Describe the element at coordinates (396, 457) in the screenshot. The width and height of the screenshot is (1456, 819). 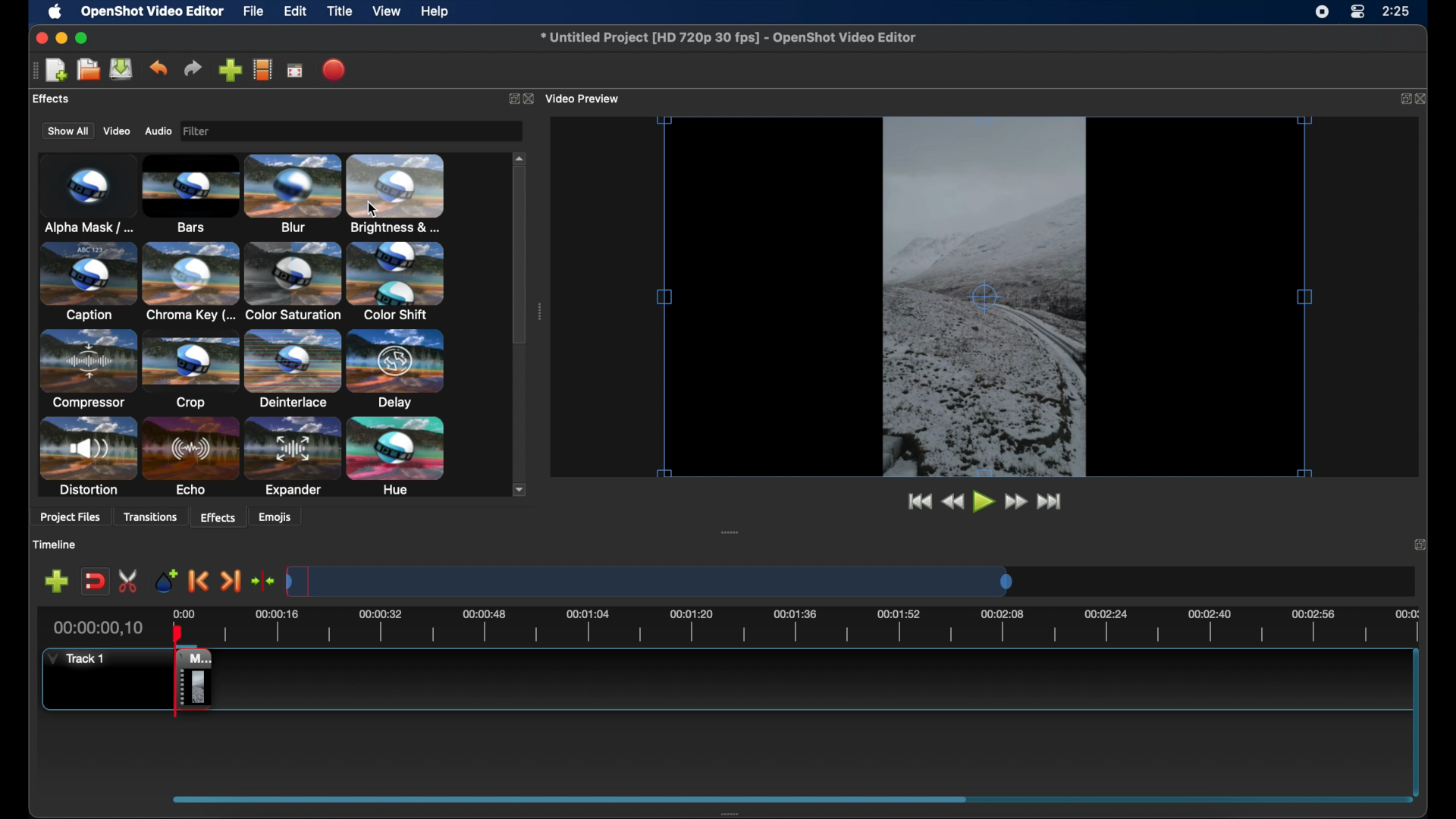
I see `hue` at that location.